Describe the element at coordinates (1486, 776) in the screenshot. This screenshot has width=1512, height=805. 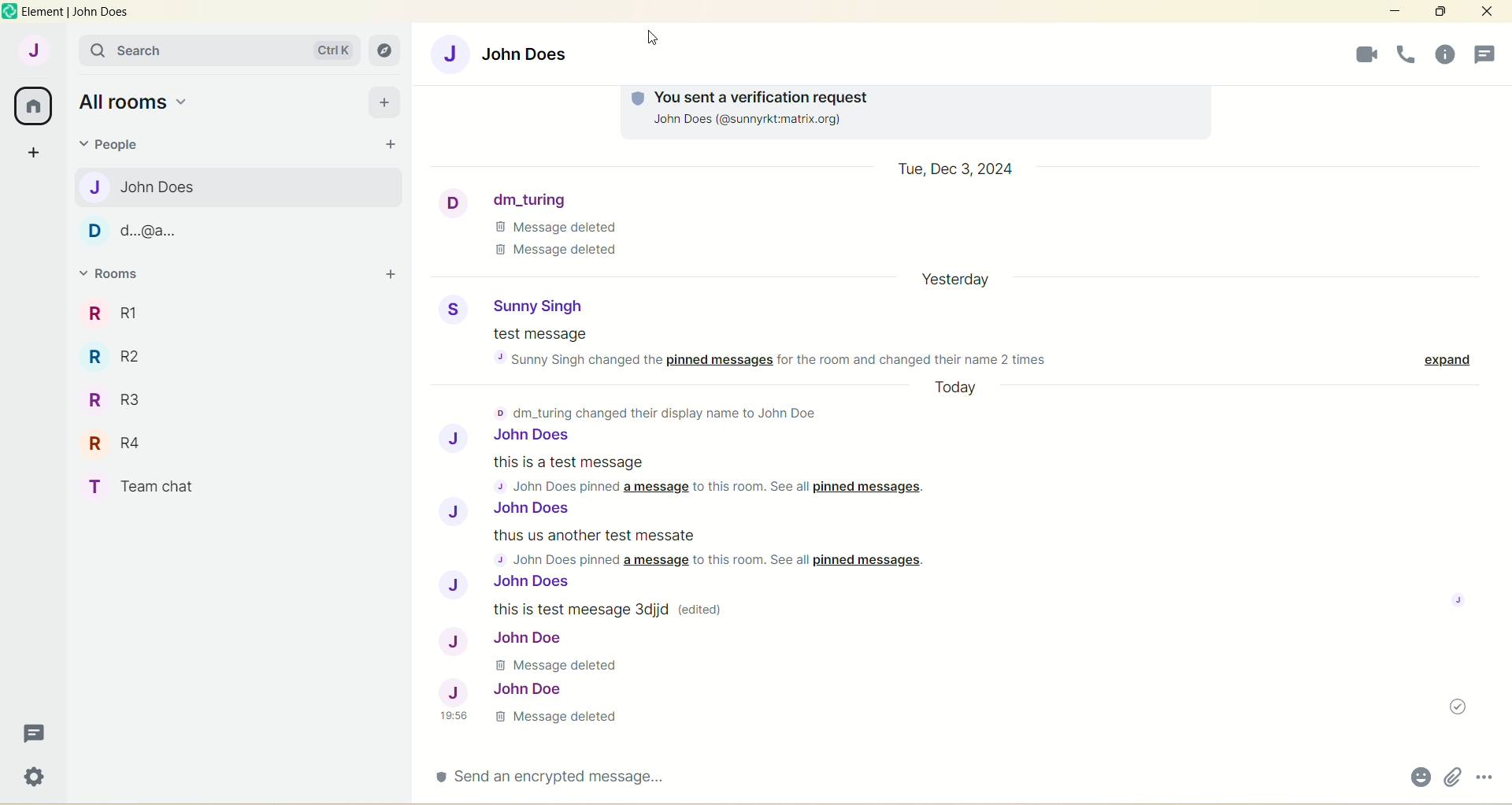
I see `options` at that location.